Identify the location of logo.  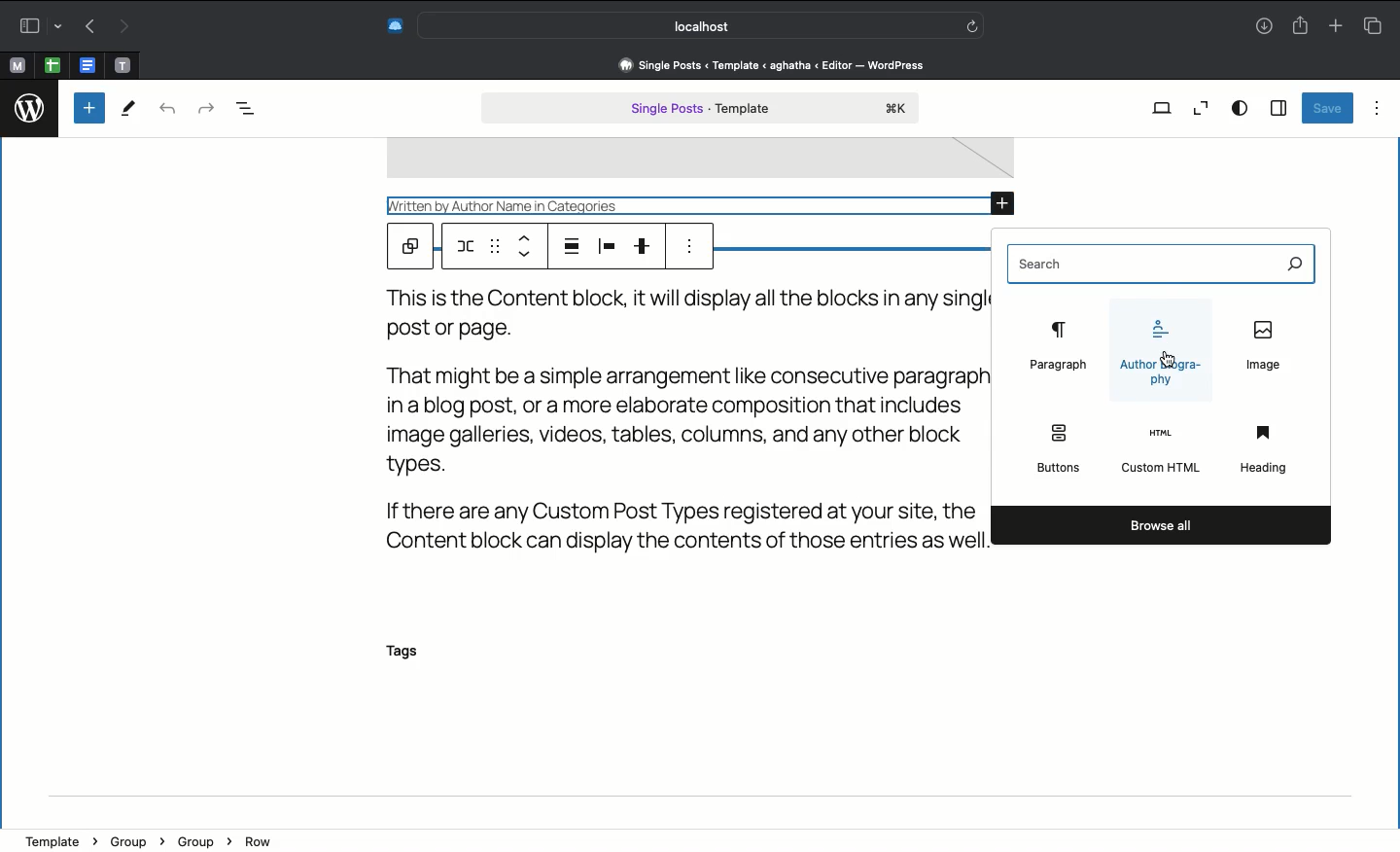
(31, 104).